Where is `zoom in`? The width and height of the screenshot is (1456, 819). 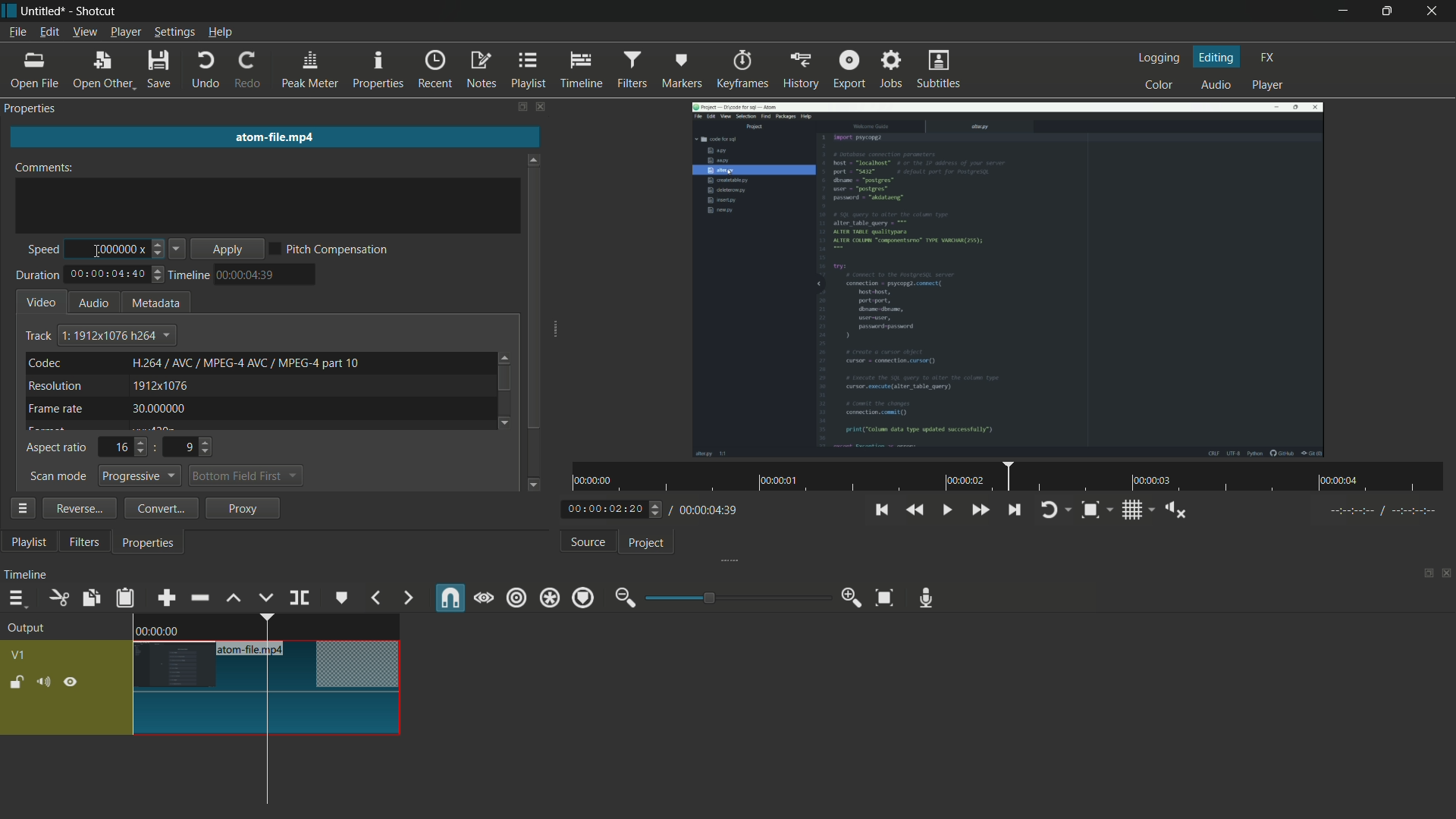
zoom in is located at coordinates (853, 597).